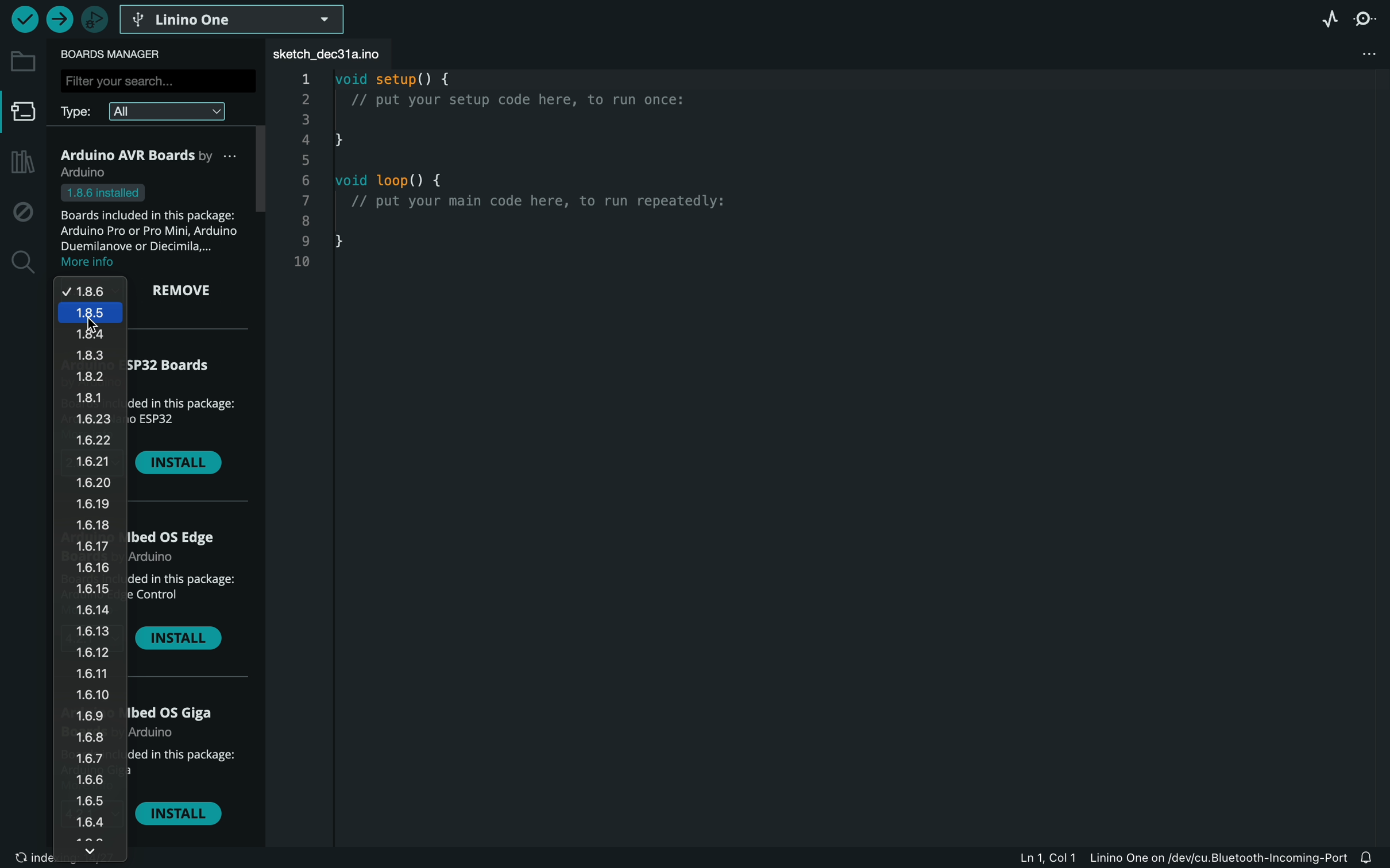  I want to click on remove, so click(190, 292).